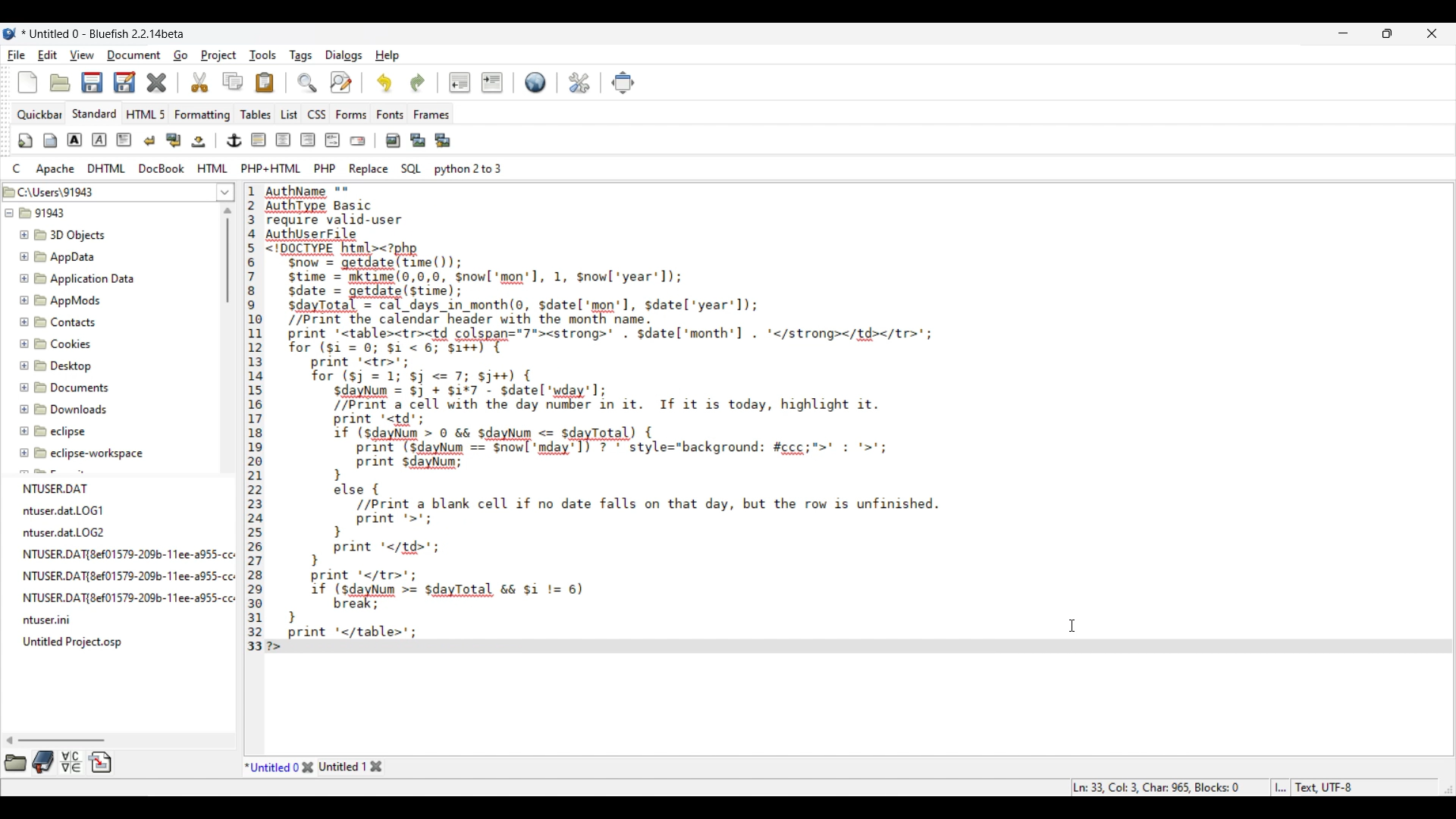 Image resolution: width=1456 pixels, height=819 pixels. What do you see at coordinates (290, 115) in the screenshot?
I see `List` at bounding box center [290, 115].